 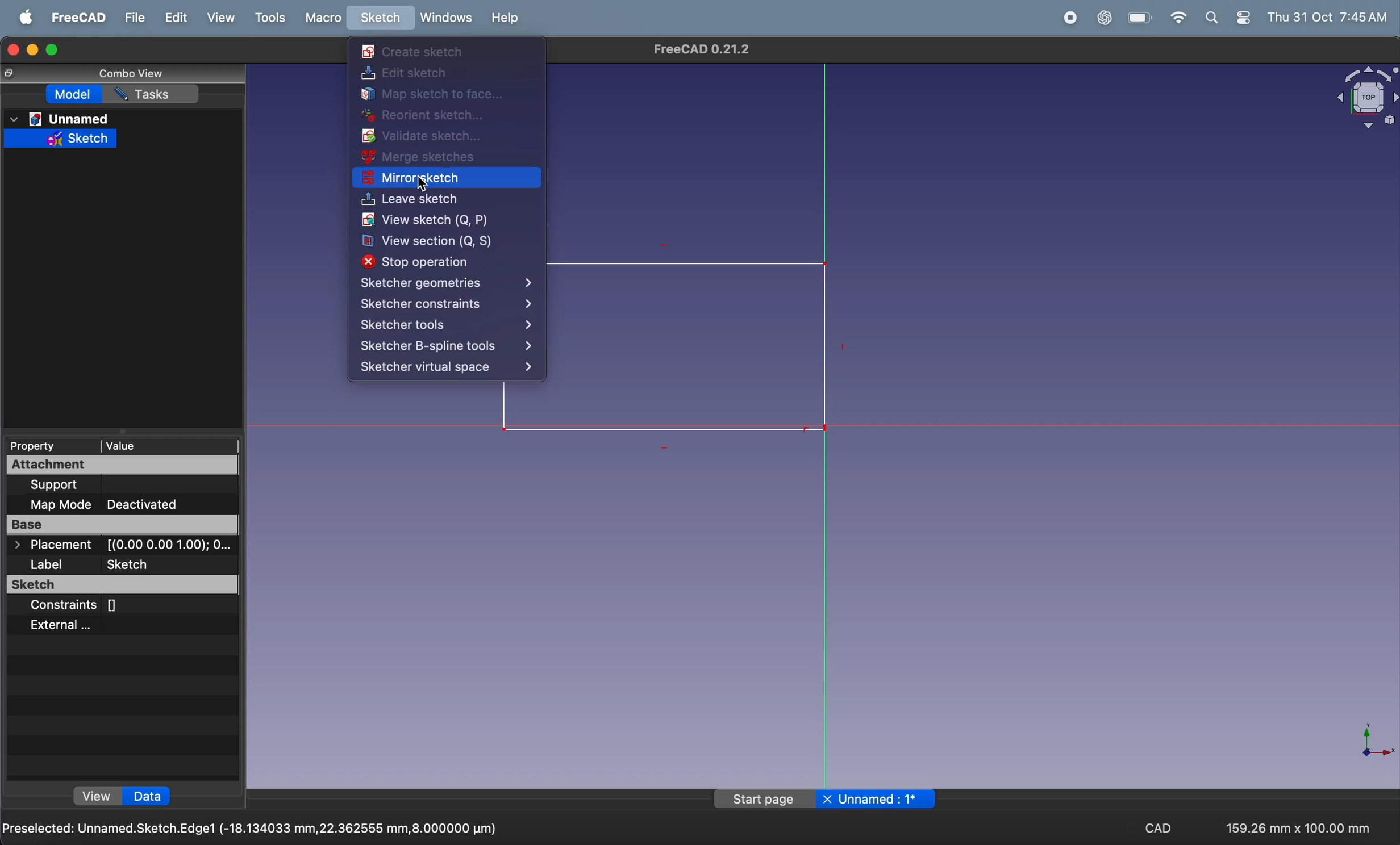 What do you see at coordinates (1176, 18) in the screenshot?
I see `wifi` at bounding box center [1176, 18].